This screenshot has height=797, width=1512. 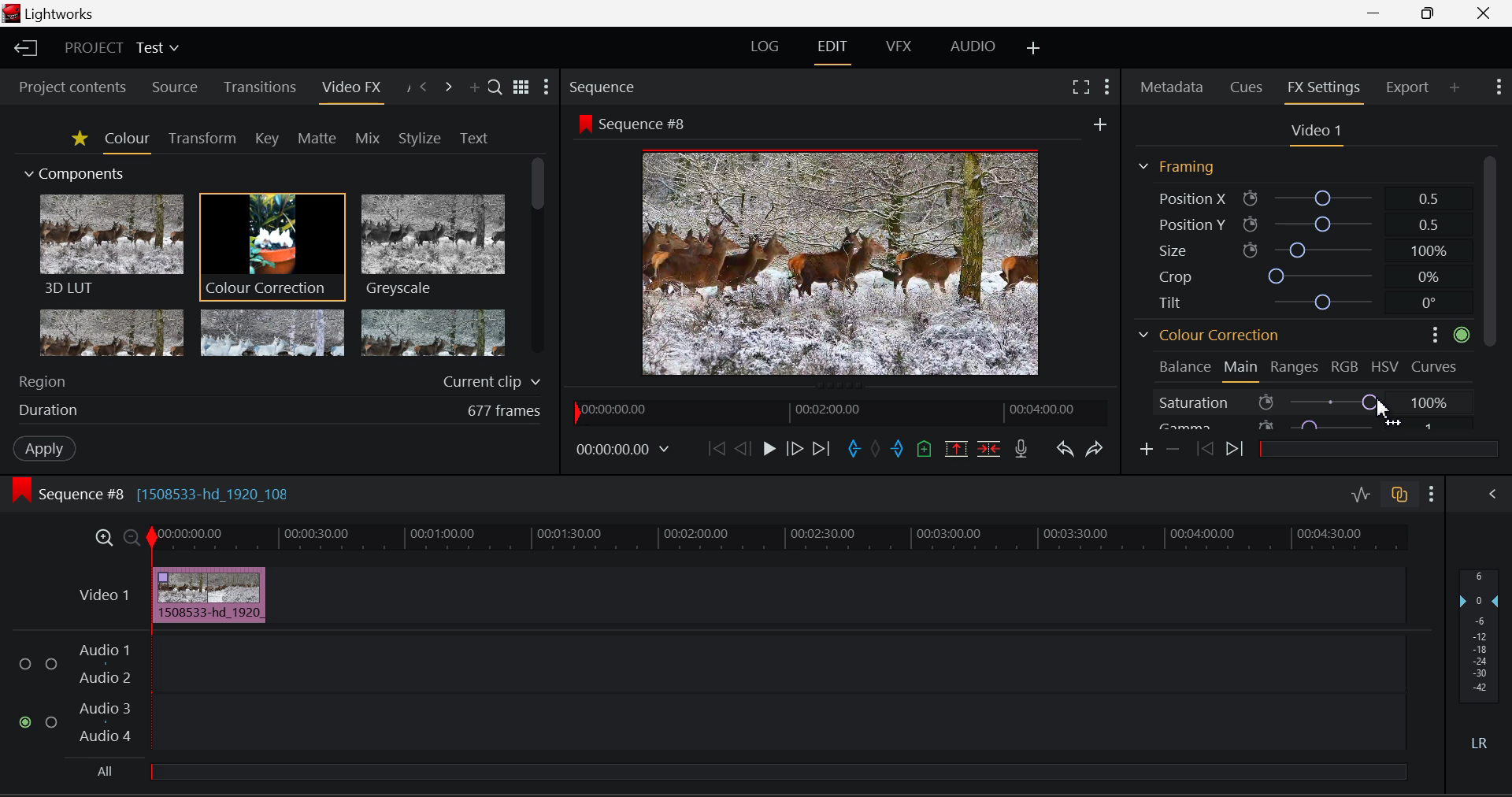 What do you see at coordinates (1492, 290) in the screenshot?
I see `Scroll Bar` at bounding box center [1492, 290].